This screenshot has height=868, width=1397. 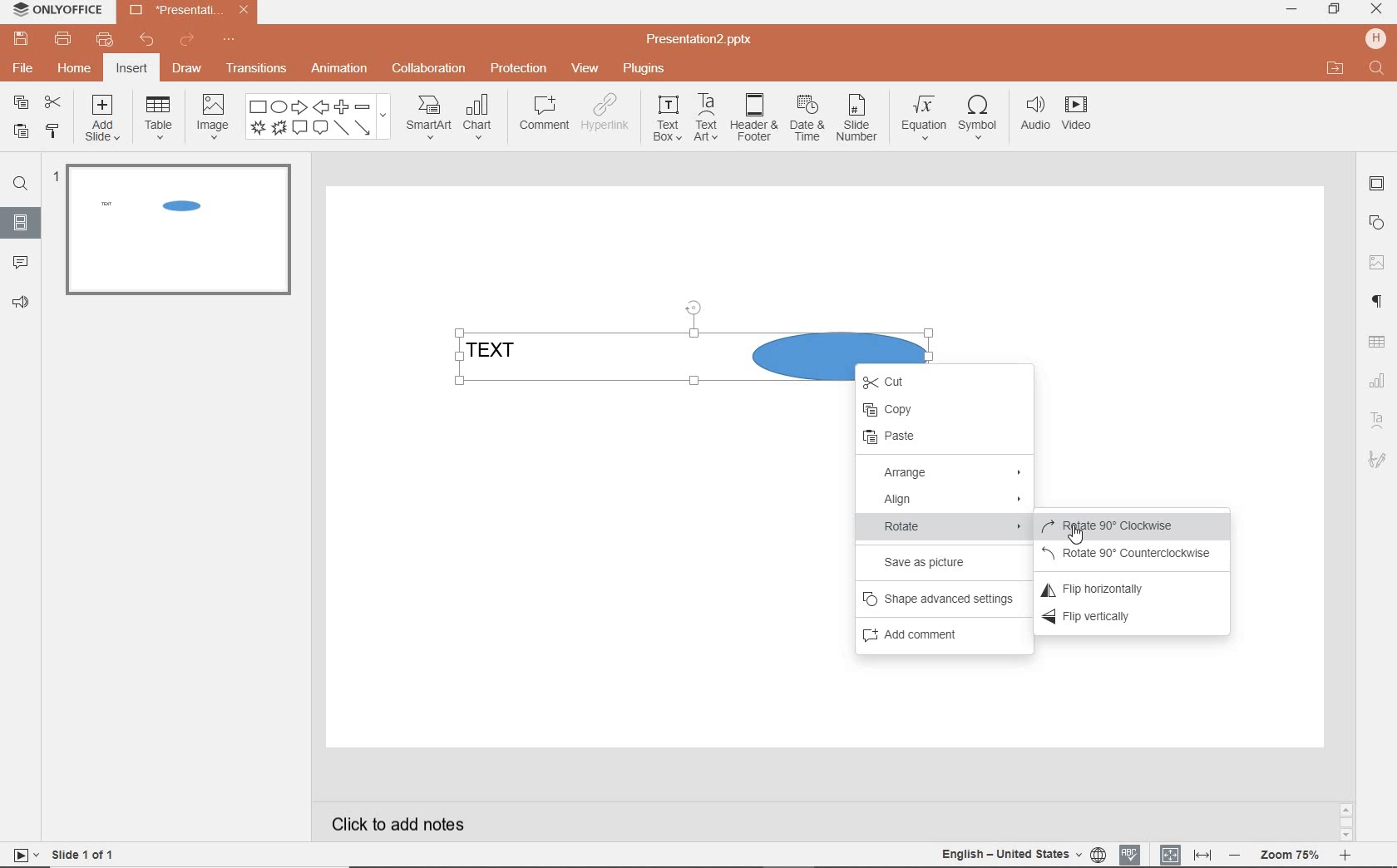 I want to click on copy style, so click(x=52, y=131).